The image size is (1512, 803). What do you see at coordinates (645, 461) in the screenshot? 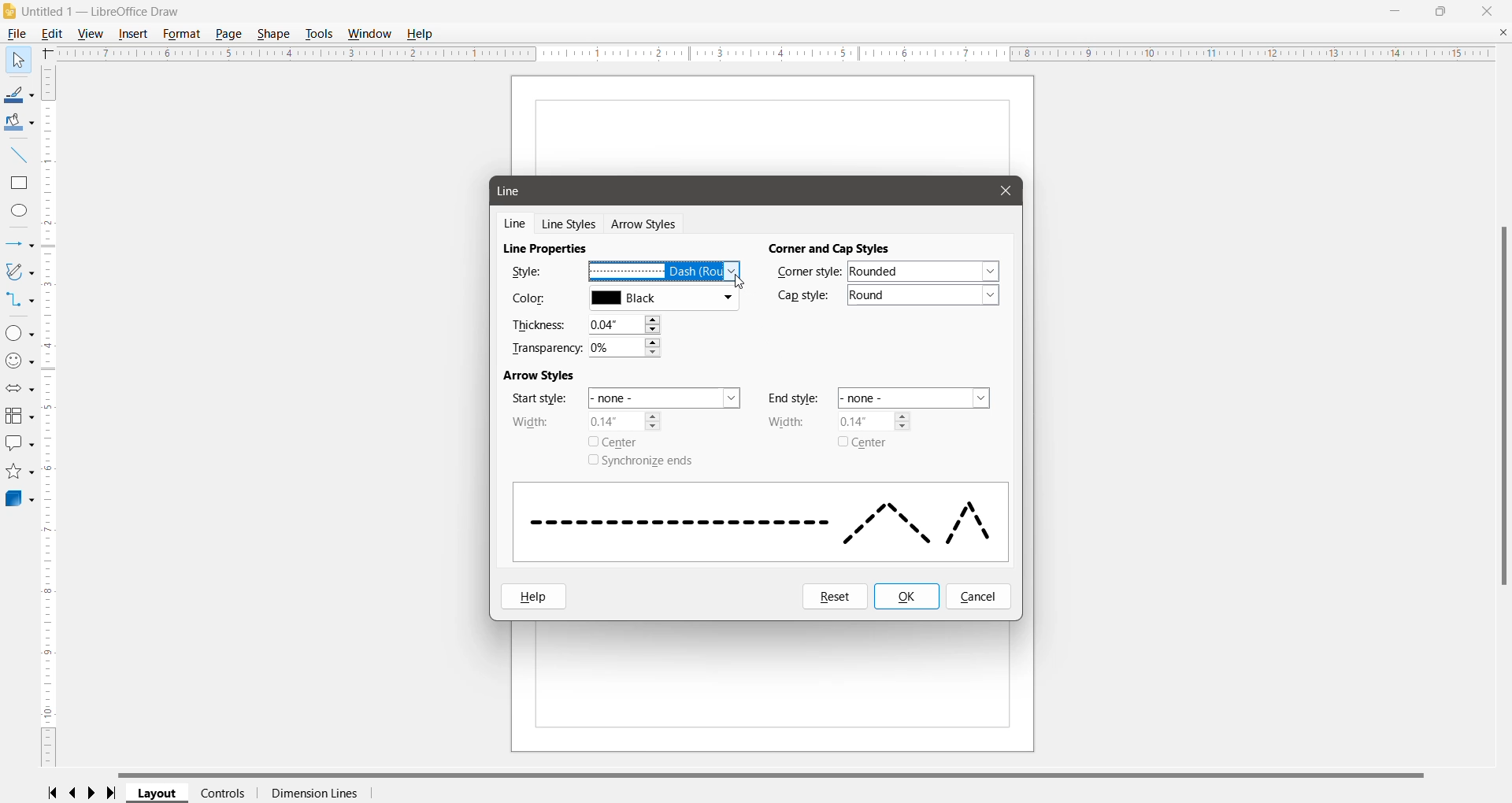
I see `Synchronize ends` at bounding box center [645, 461].